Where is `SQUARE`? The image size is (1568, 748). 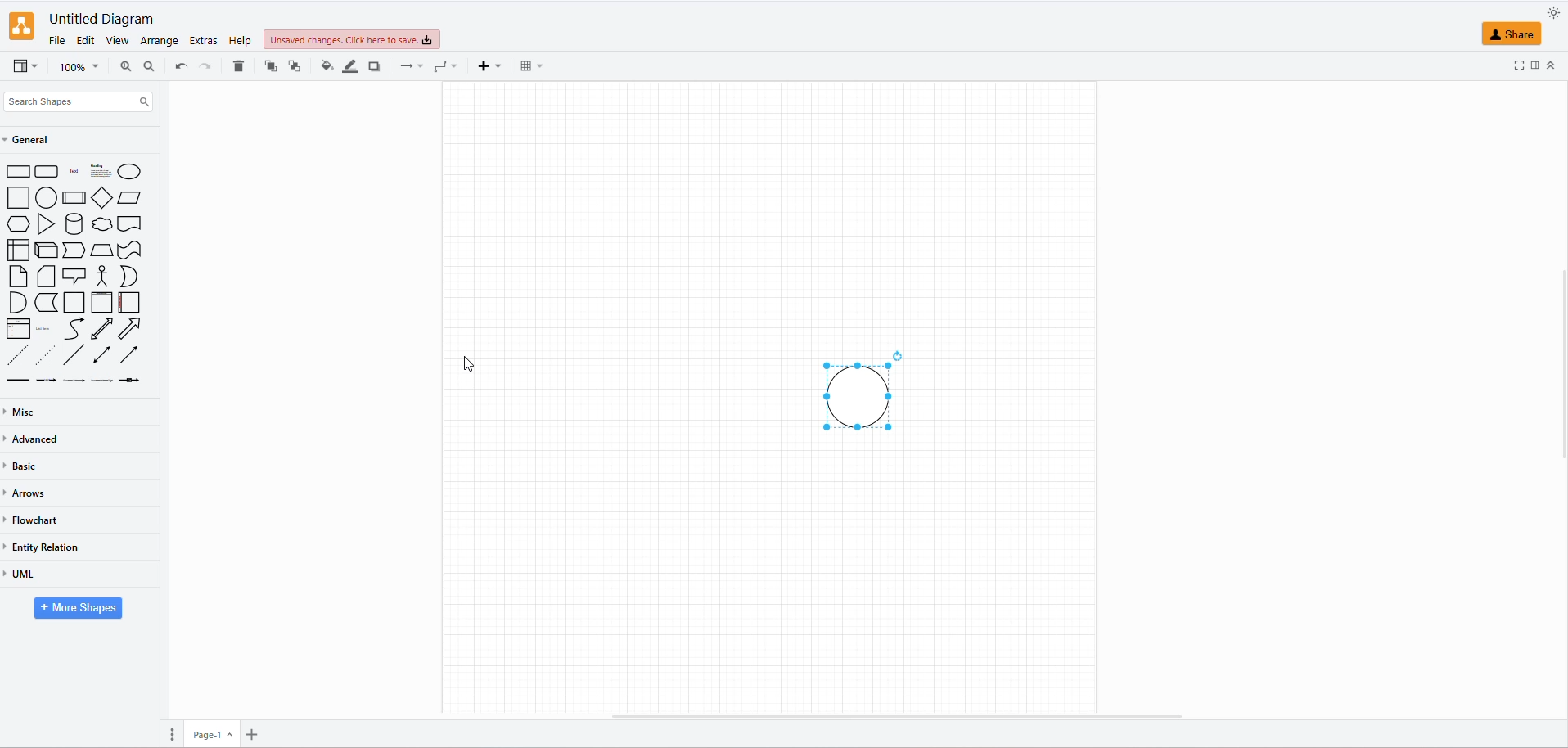
SQUARE is located at coordinates (15, 197).